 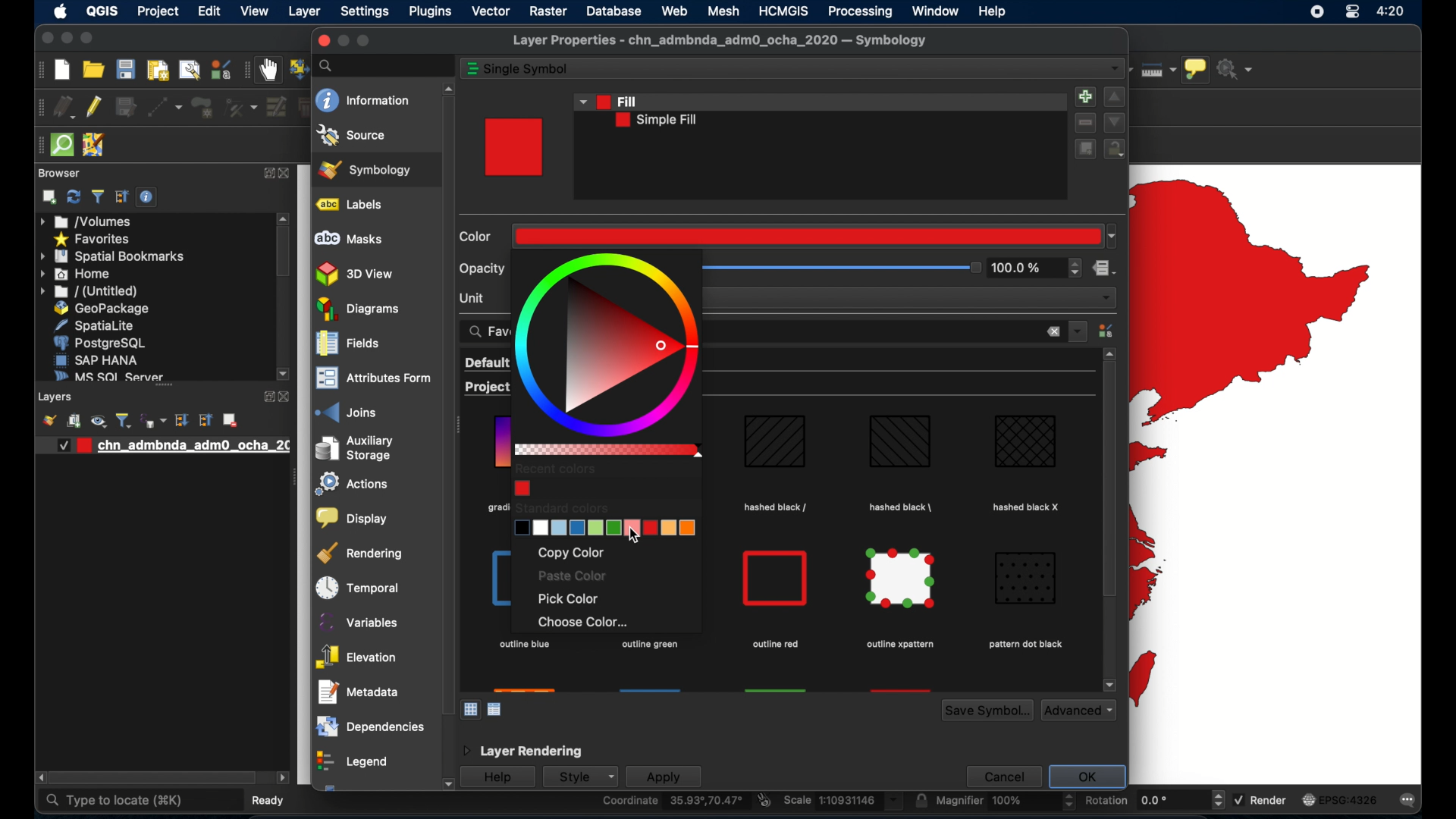 I want to click on Gradient preview , so click(x=776, y=579).